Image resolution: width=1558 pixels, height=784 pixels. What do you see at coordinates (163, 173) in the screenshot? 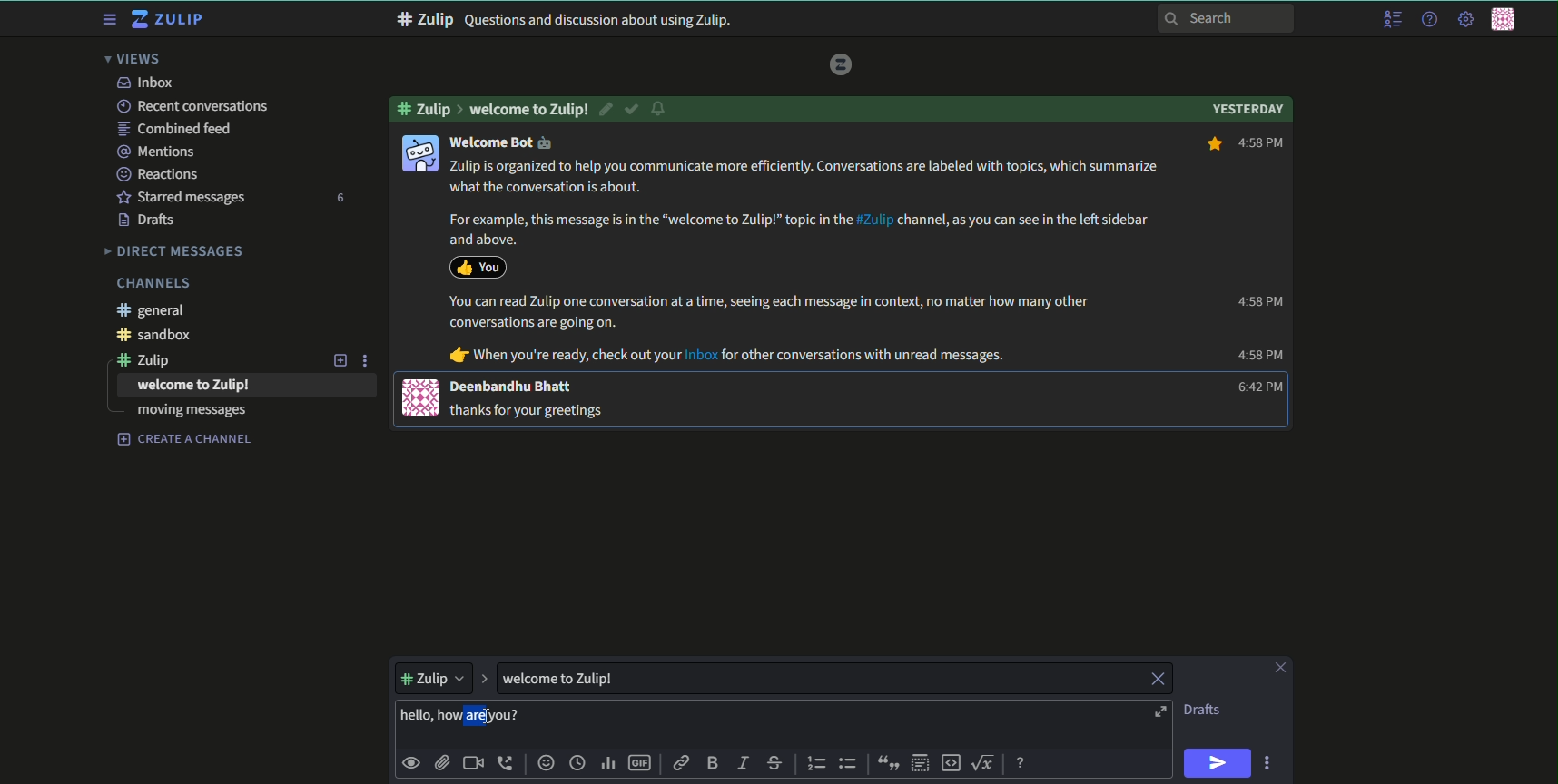
I see `Reactions` at bounding box center [163, 173].